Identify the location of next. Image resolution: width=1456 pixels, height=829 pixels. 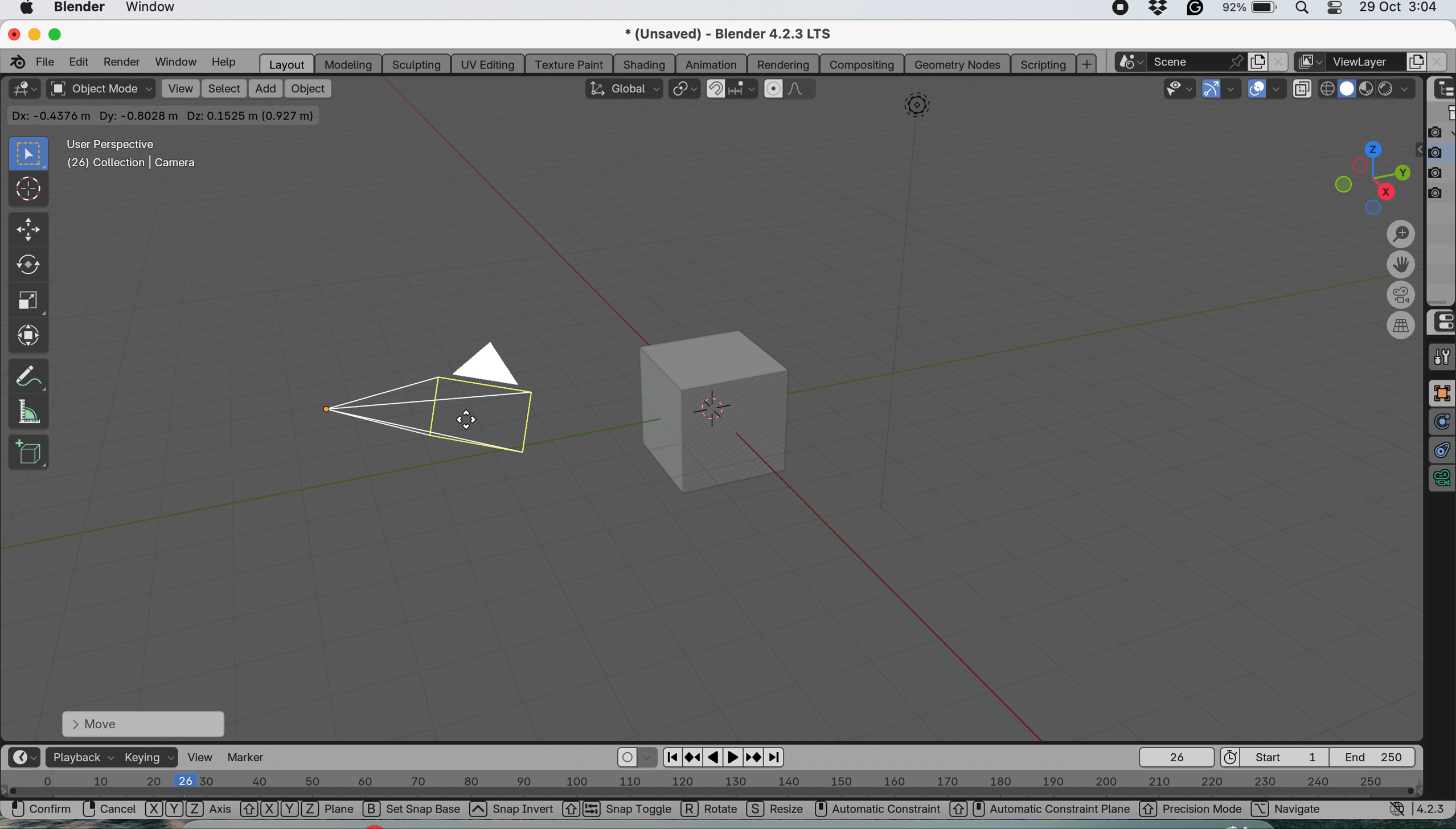
(776, 758).